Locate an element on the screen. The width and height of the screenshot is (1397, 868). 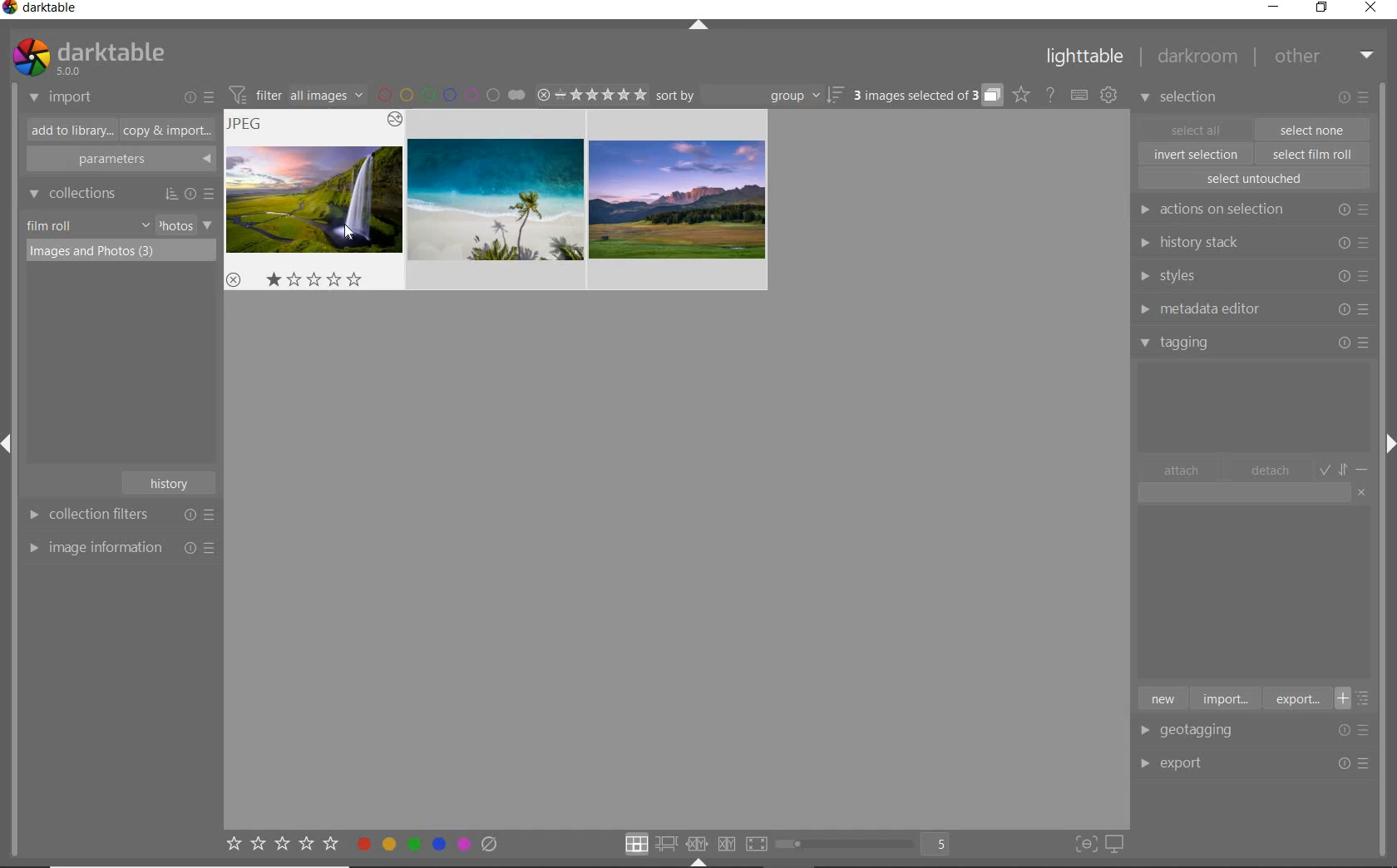
history is located at coordinates (171, 481).